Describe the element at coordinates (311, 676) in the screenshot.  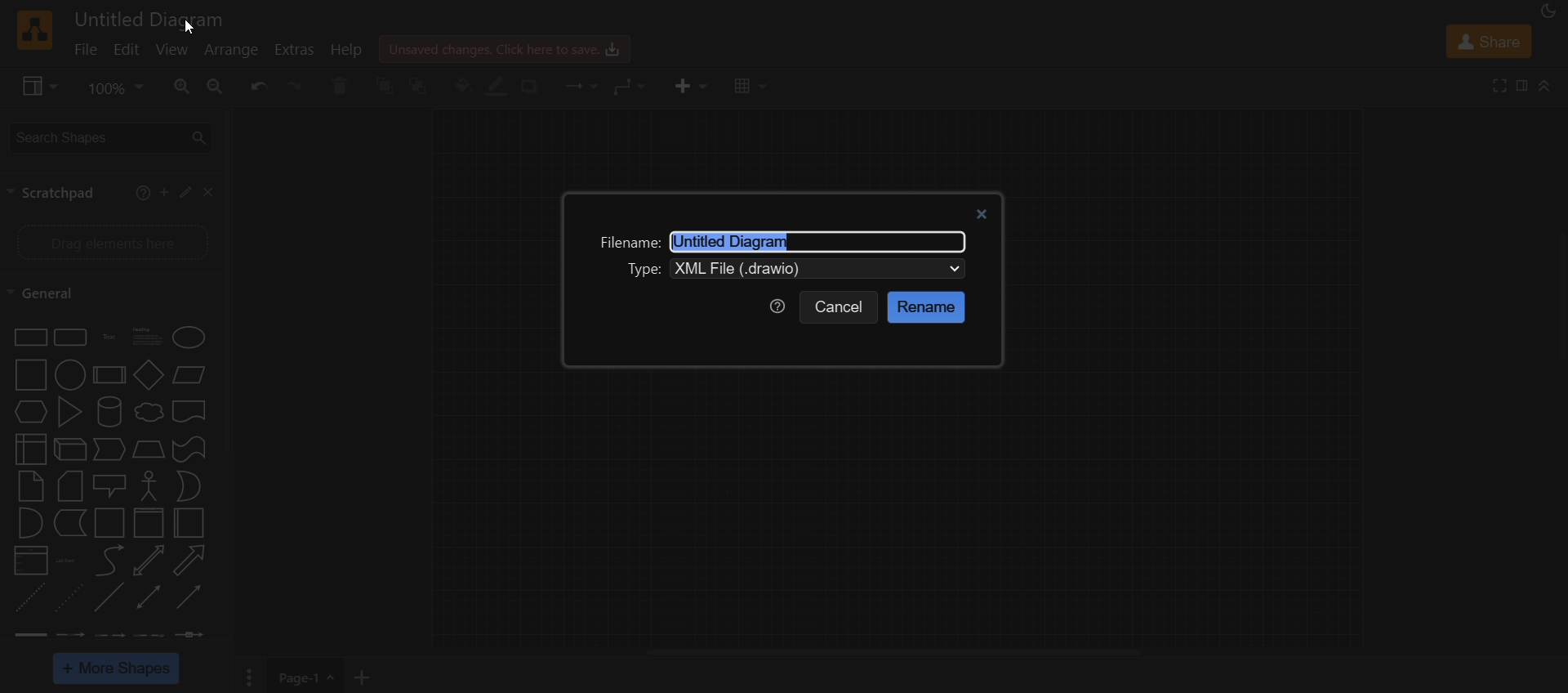
I see `page 1` at that location.